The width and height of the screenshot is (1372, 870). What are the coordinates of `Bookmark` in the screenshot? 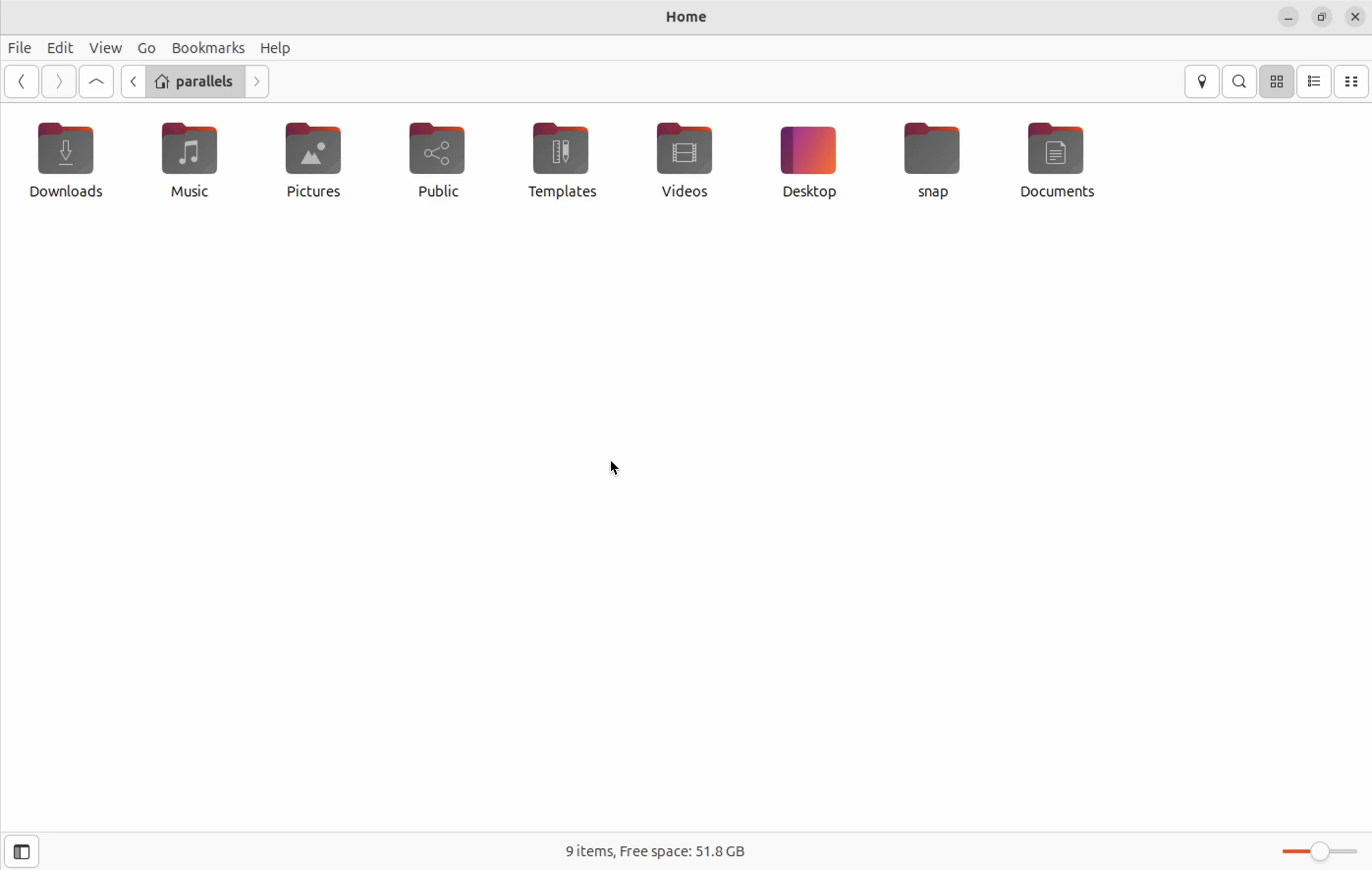 It's located at (206, 47).